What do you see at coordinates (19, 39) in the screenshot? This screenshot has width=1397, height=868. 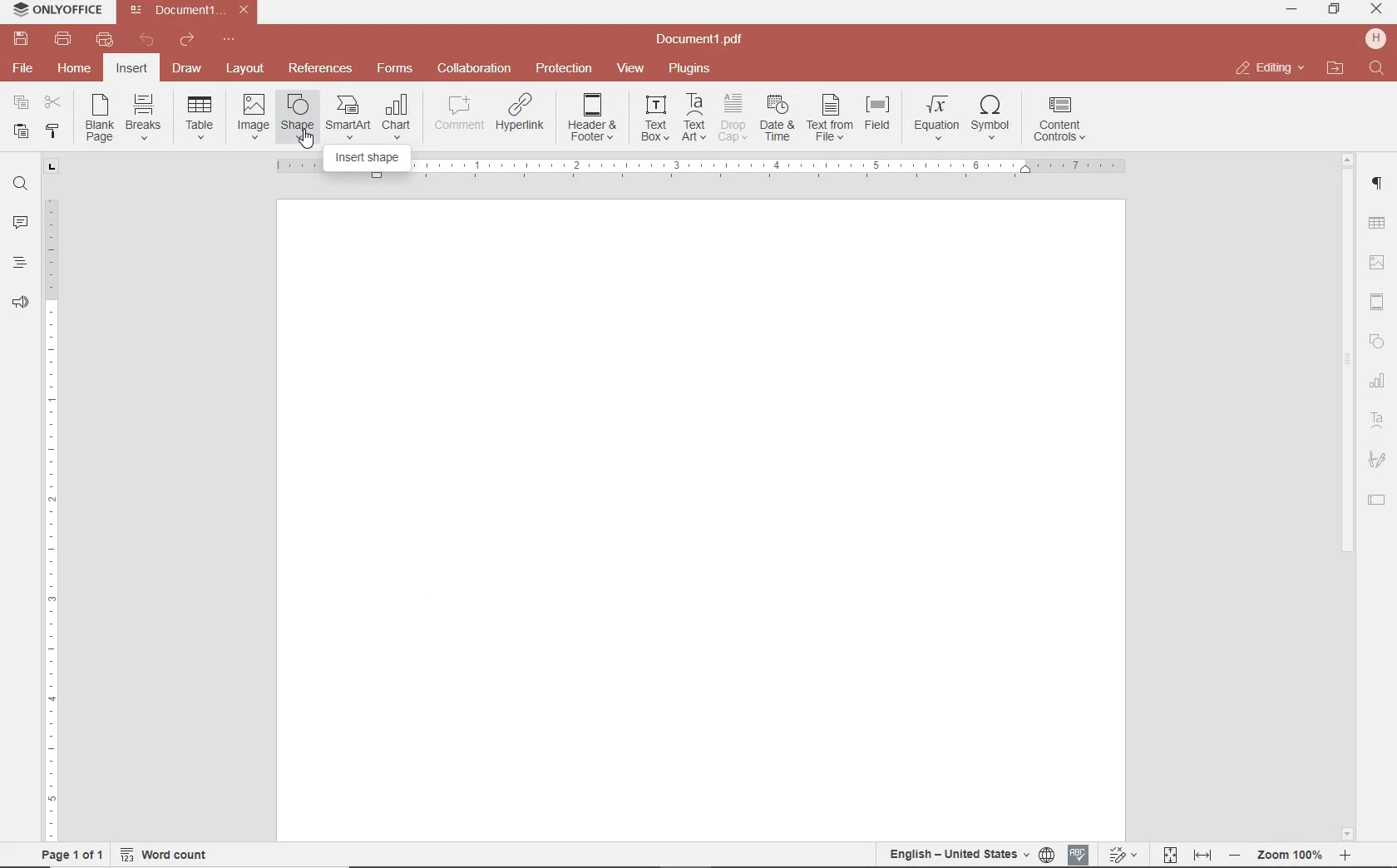 I see `save` at bounding box center [19, 39].